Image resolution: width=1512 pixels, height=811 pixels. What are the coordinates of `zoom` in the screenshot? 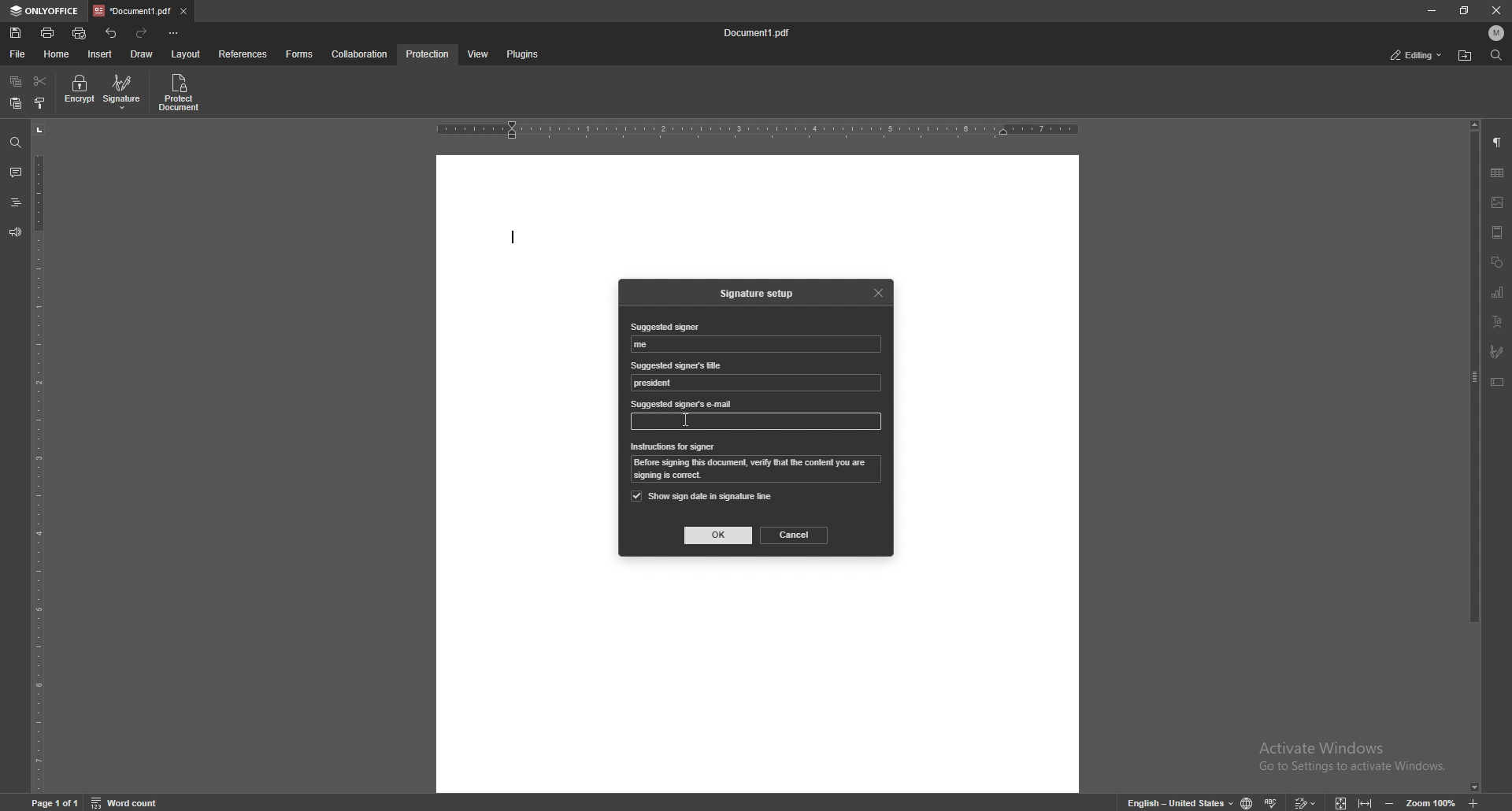 It's located at (1420, 802).